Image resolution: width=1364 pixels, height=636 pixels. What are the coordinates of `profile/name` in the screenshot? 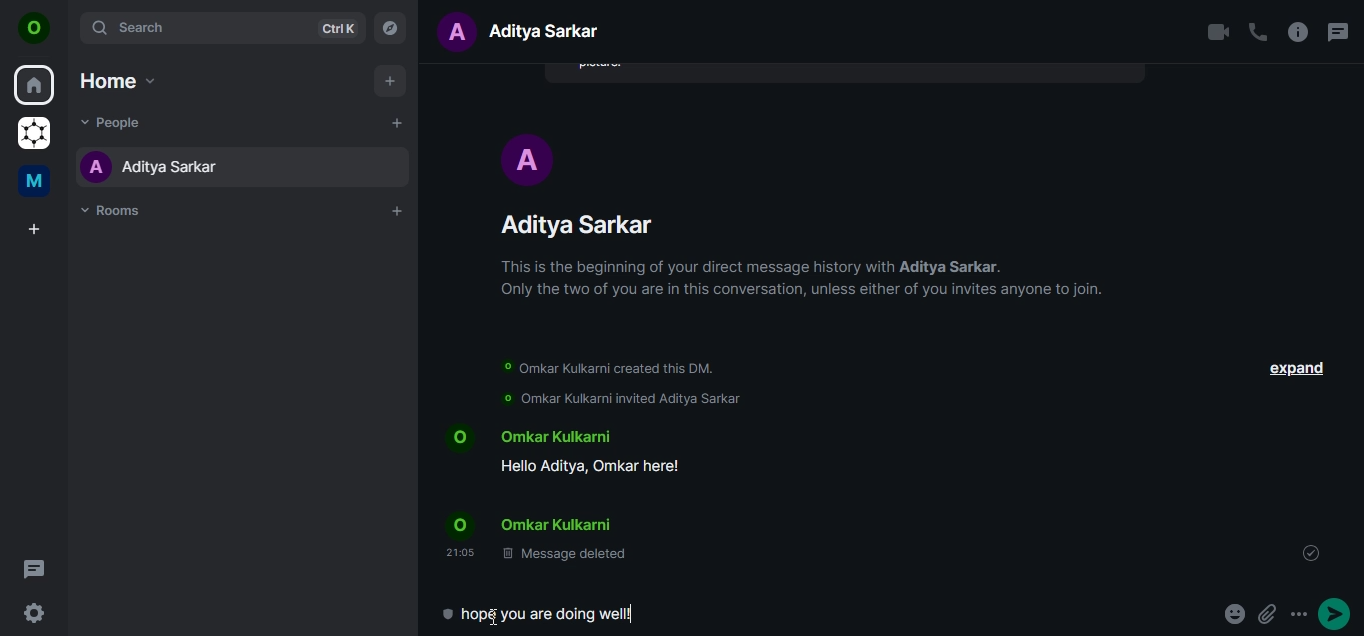 It's located at (790, 215).